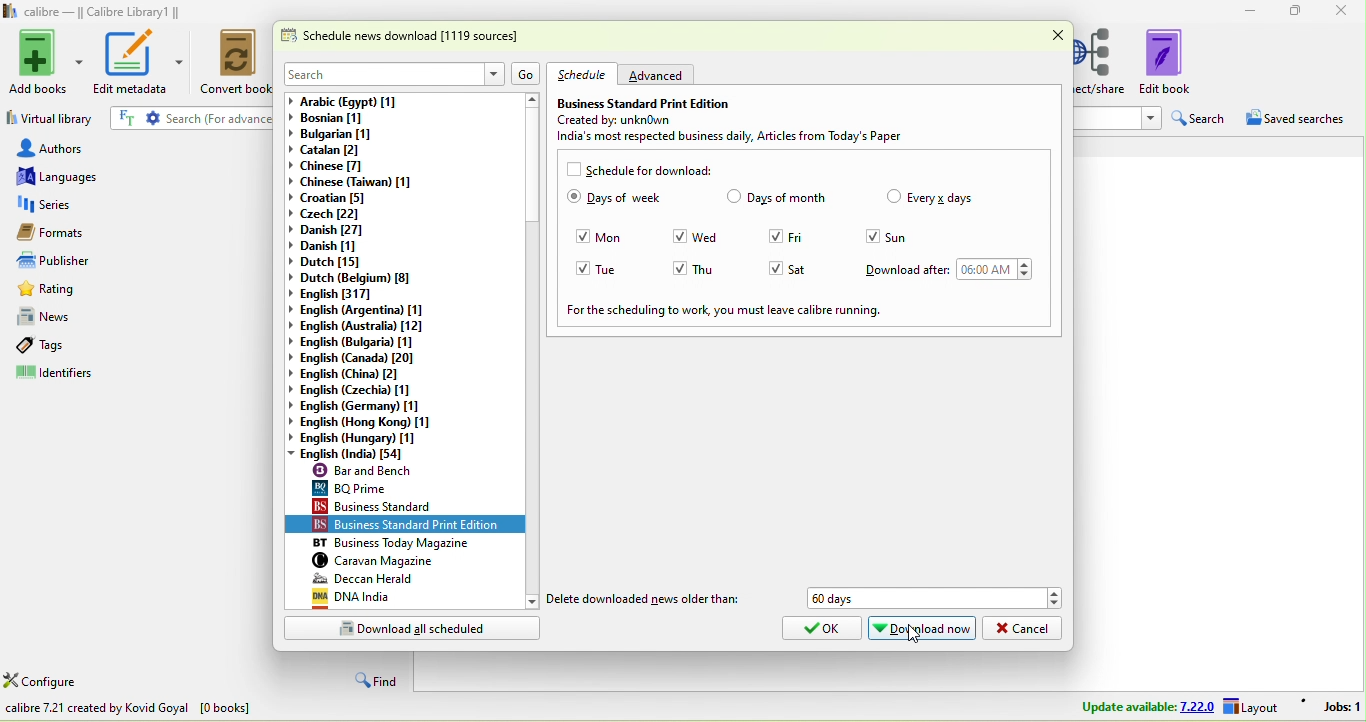  What do you see at coordinates (140, 349) in the screenshot?
I see `tags` at bounding box center [140, 349].